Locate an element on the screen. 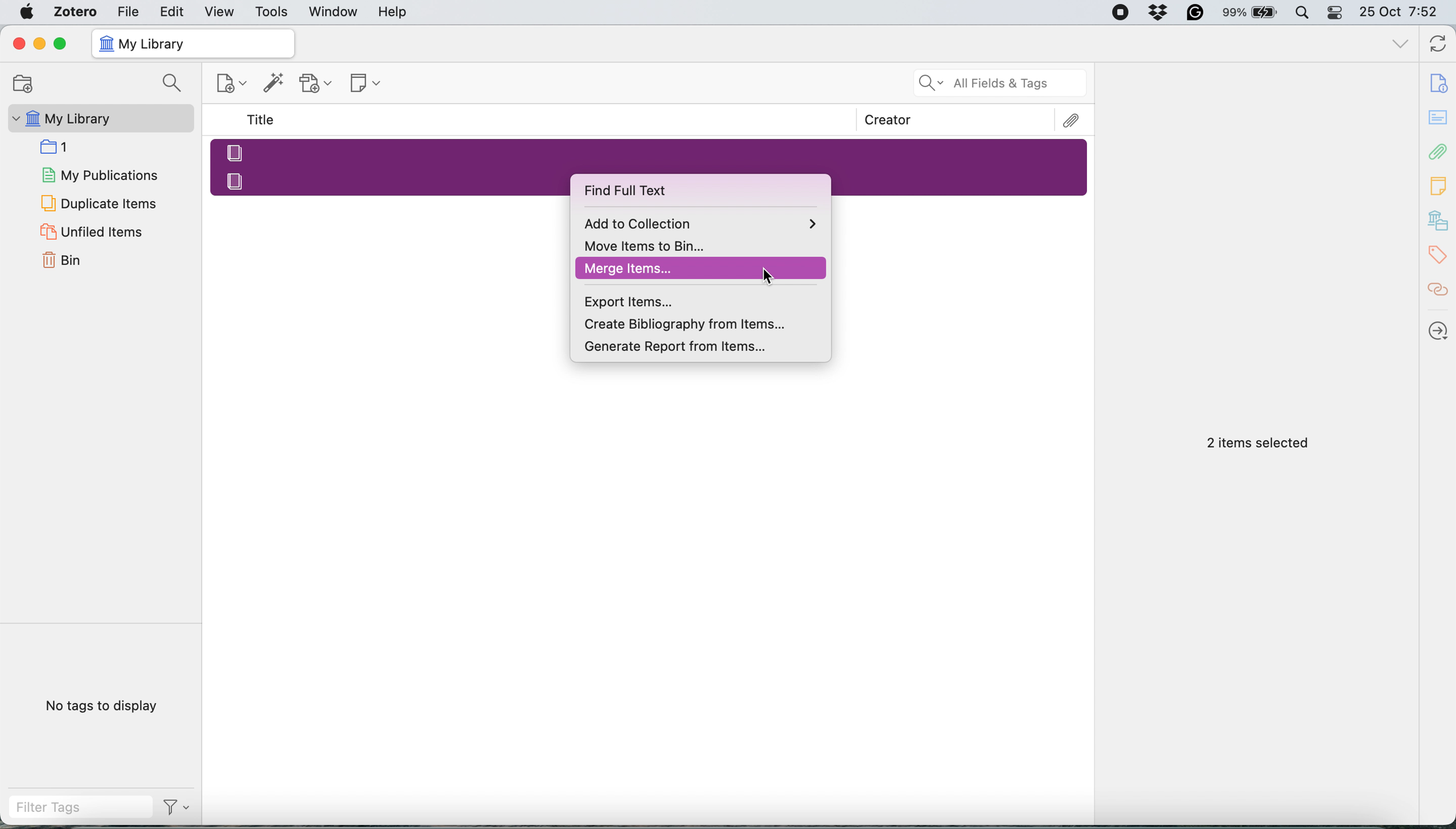  Generate Report from Items... is located at coordinates (703, 349).